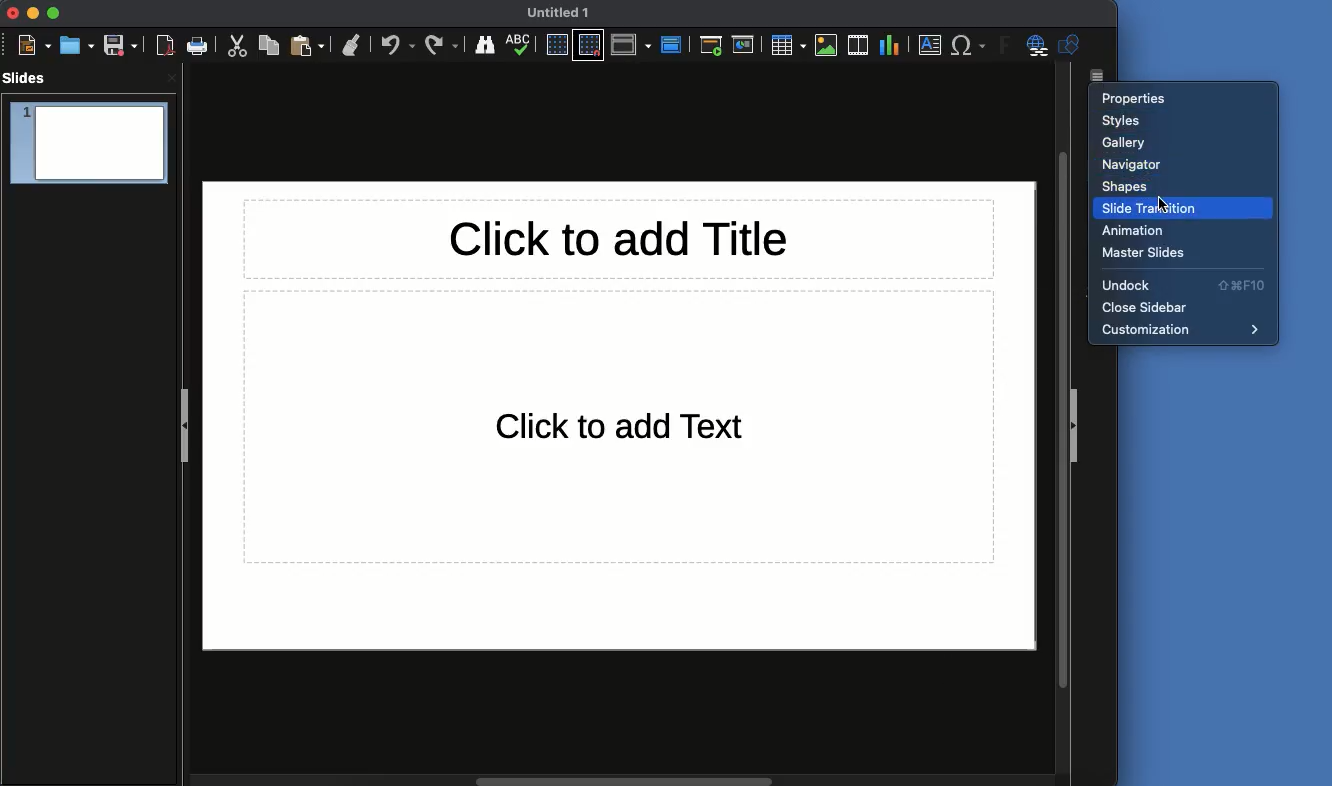 This screenshot has width=1332, height=786. I want to click on Close, so click(16, 13).